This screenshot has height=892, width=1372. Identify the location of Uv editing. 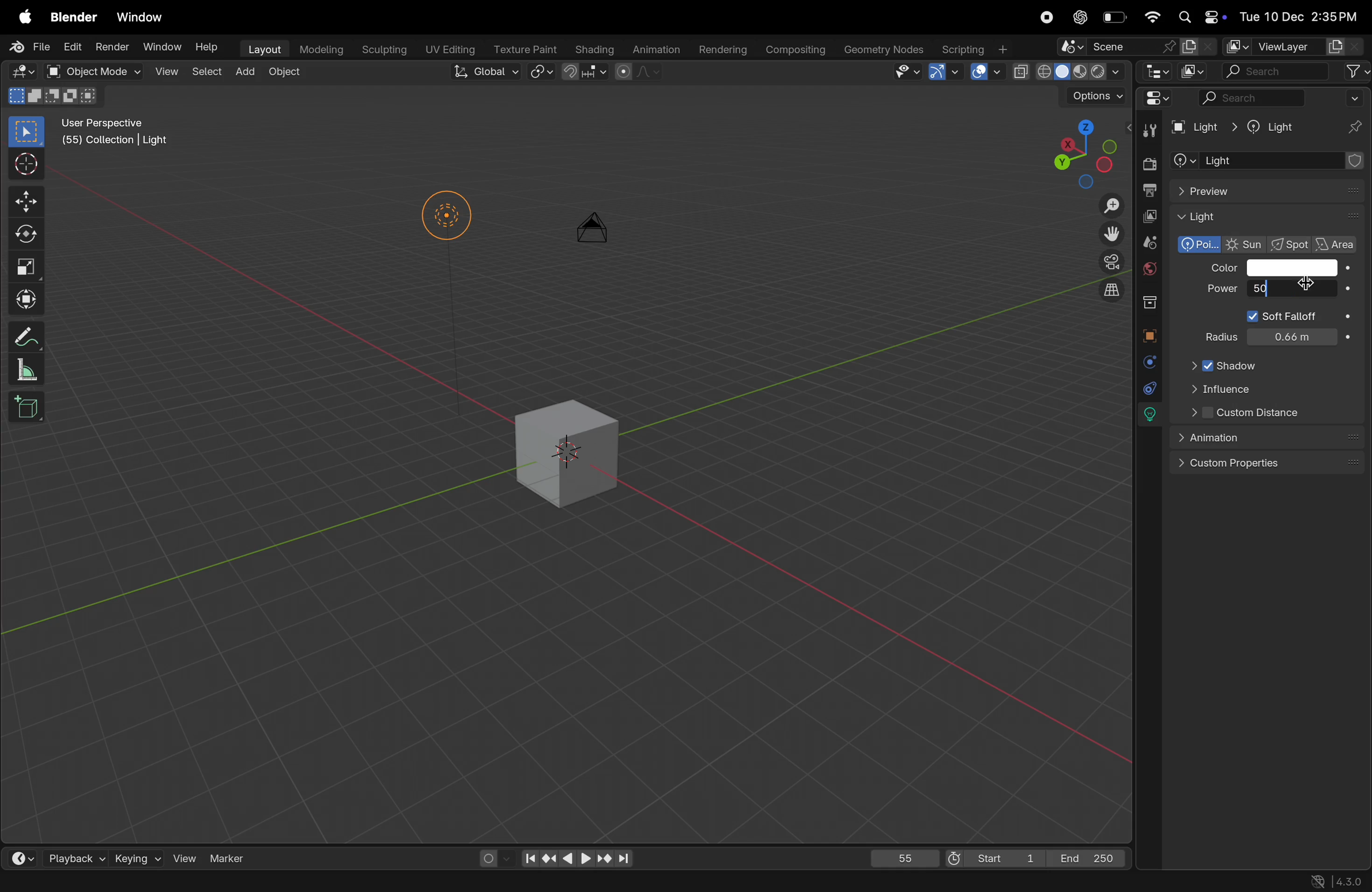
(447, 48).